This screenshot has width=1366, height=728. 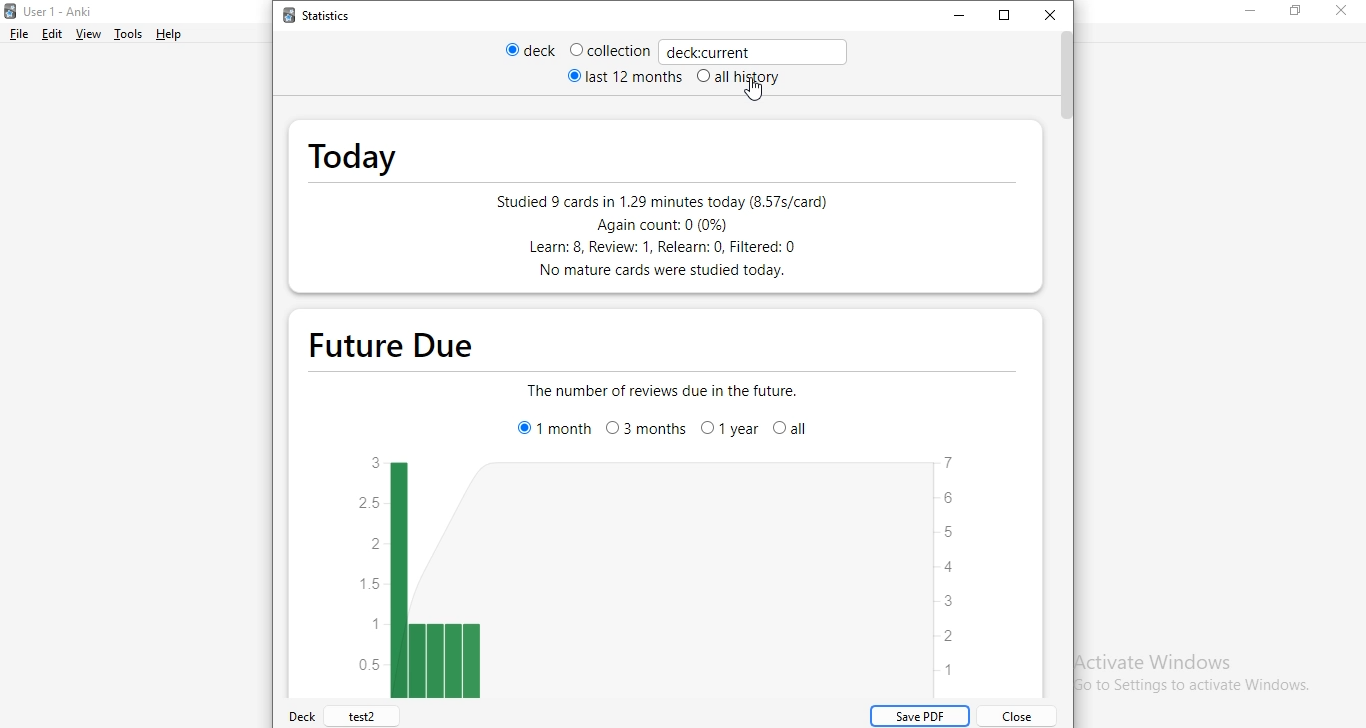 What do you see at coordinates (1295, 14) in the screenshot?
I see `restore` at bounding box center [1295, 14].